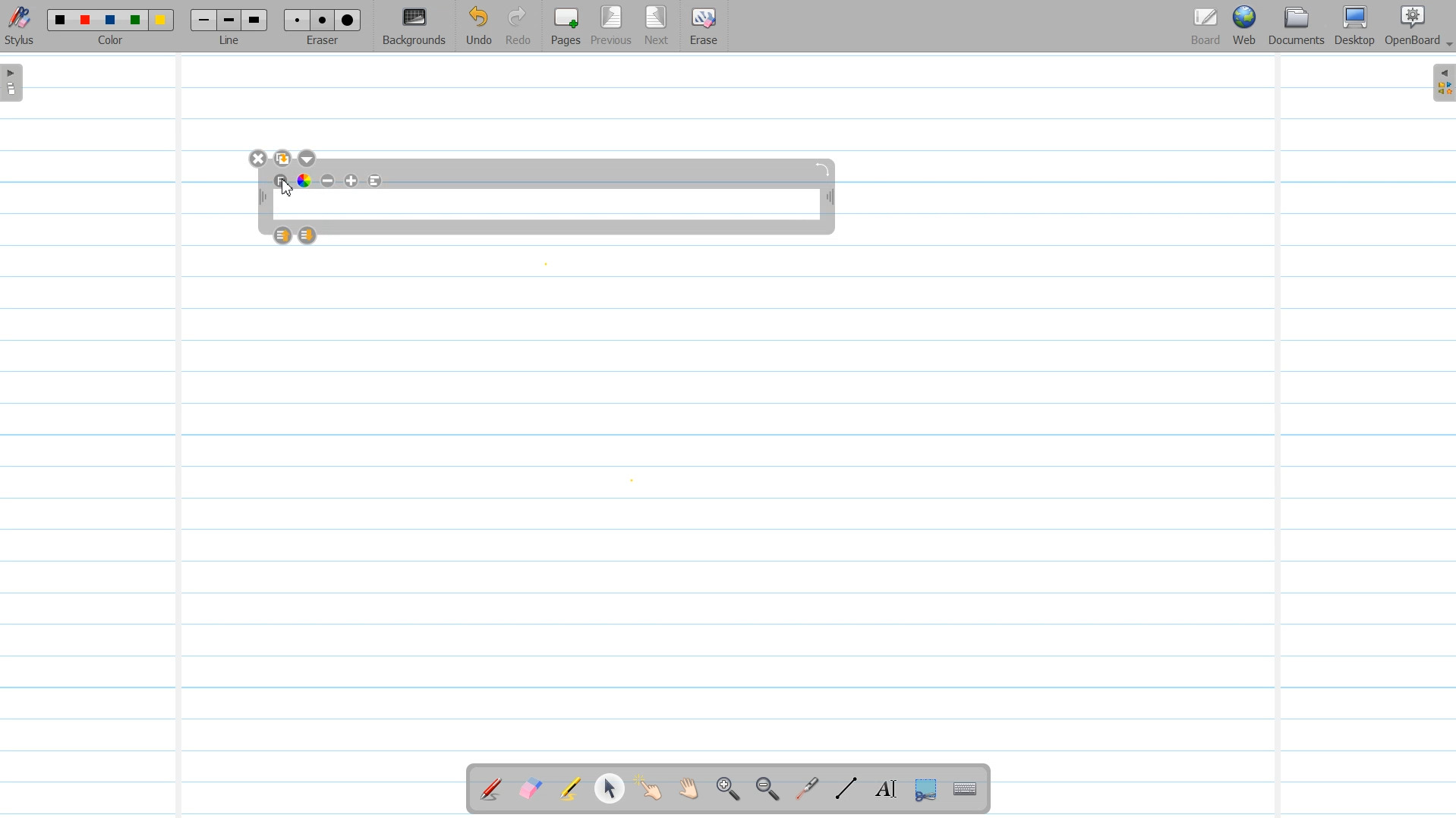 This screenshot has width=1456, height=818. I want to click on Board, so click(1205, 27).